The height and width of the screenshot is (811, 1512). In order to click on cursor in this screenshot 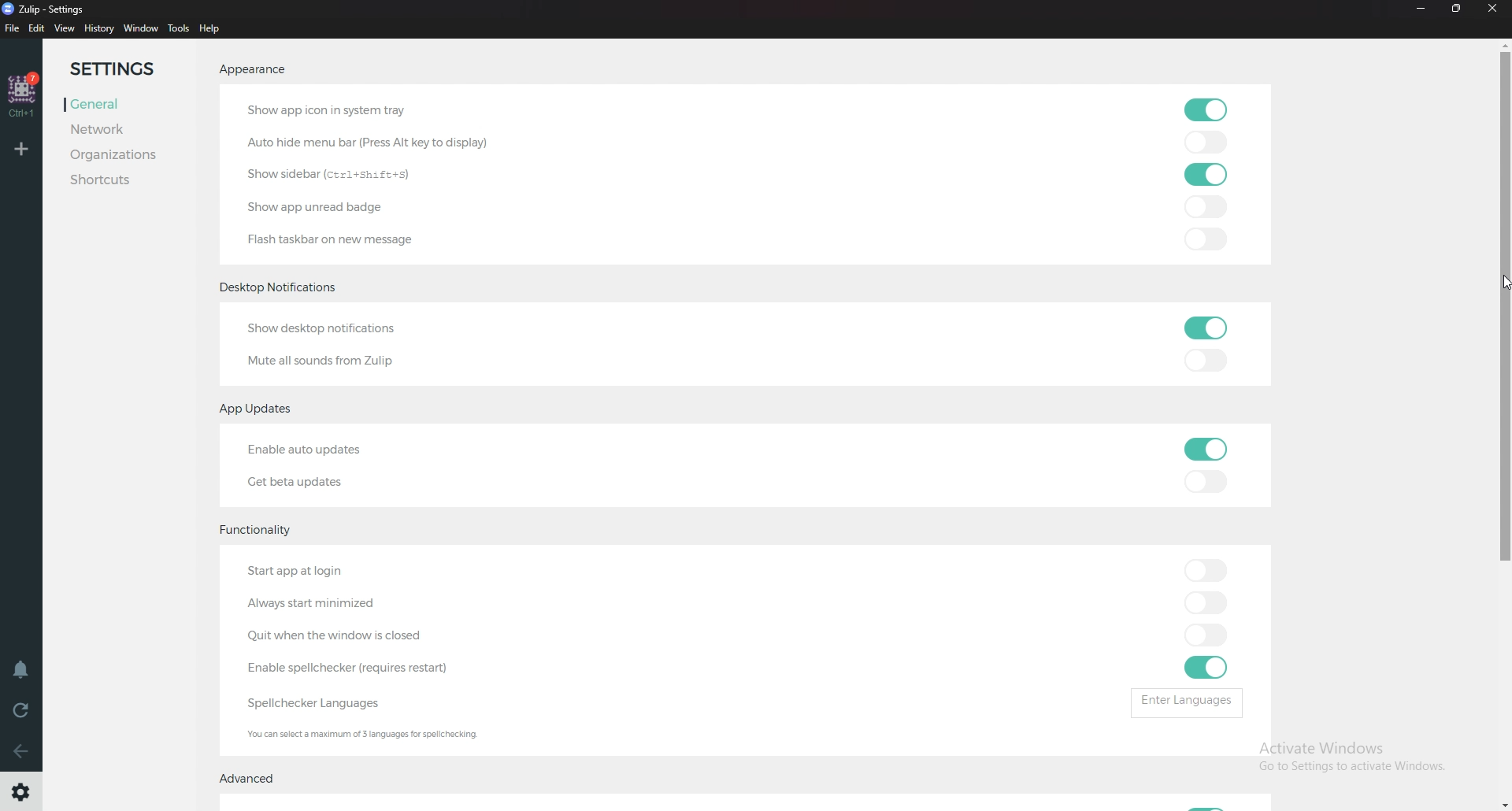, I will do `click(1503, 282)`.